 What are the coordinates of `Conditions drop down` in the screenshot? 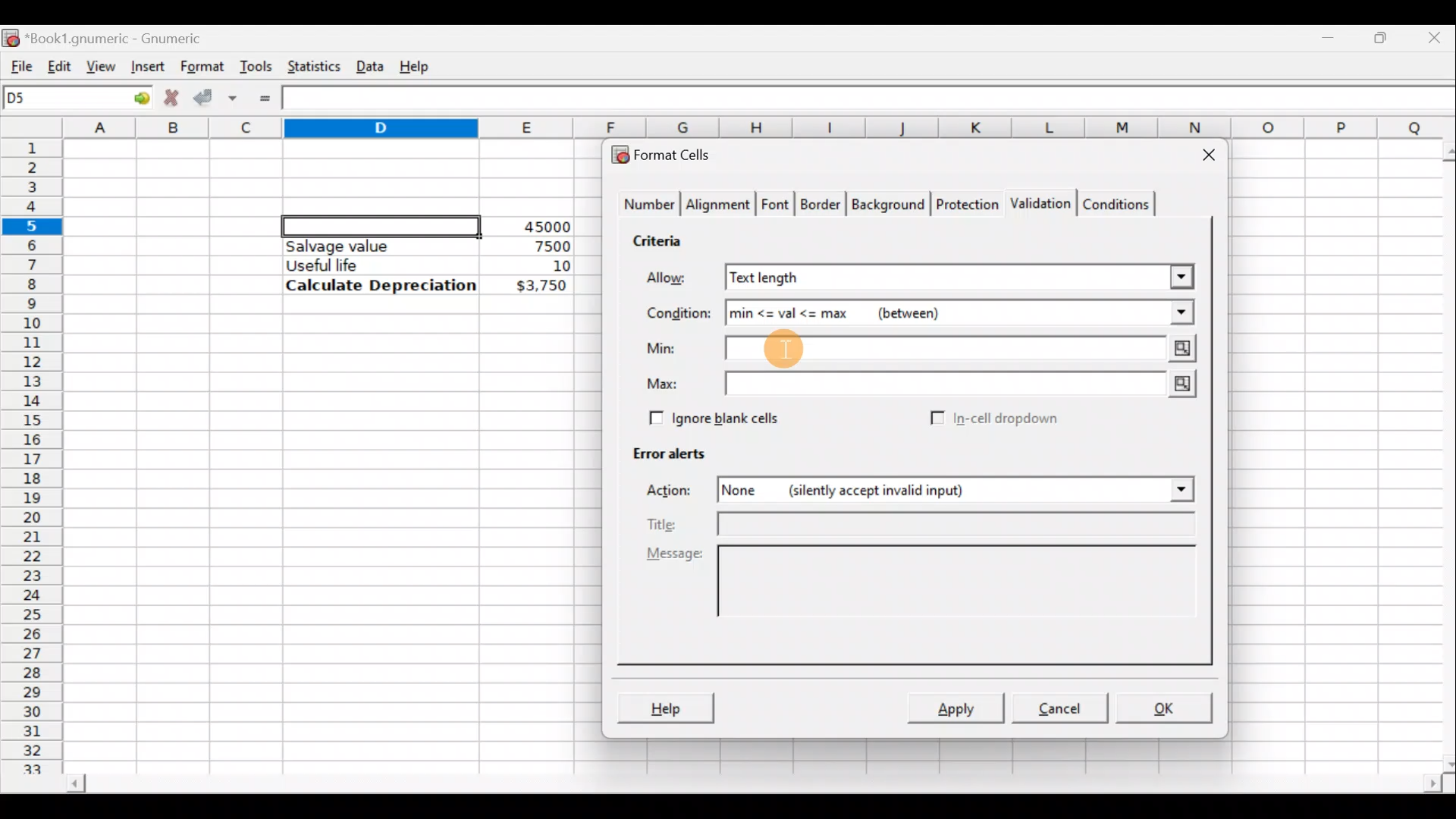 It's located at (1166, 312).